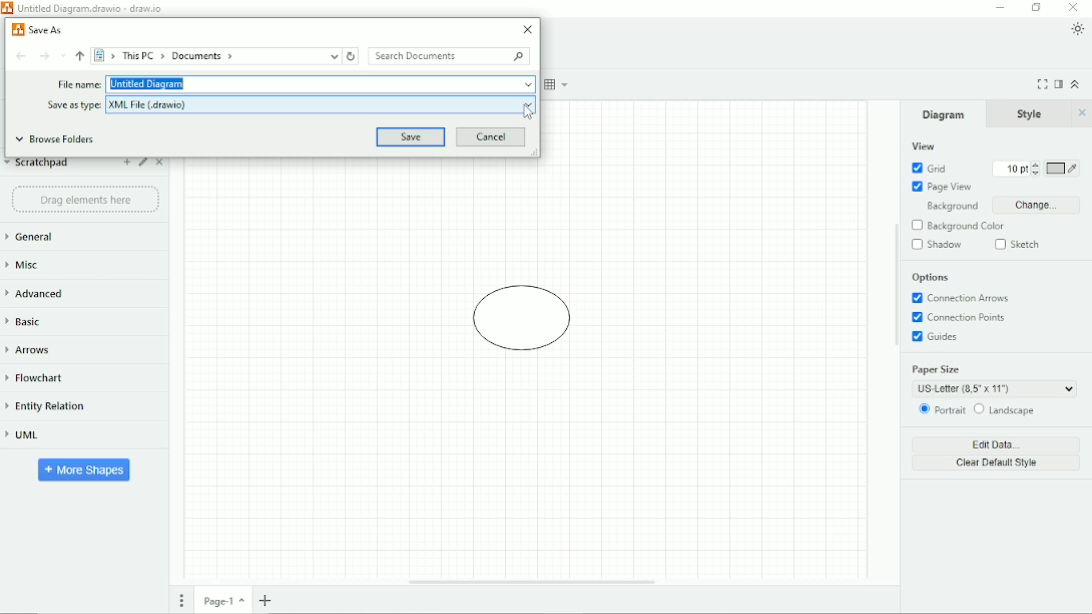  What do you see at coordinates (558, 85) in the screenshot?
I see `Table` at bounding box center [558, 85].